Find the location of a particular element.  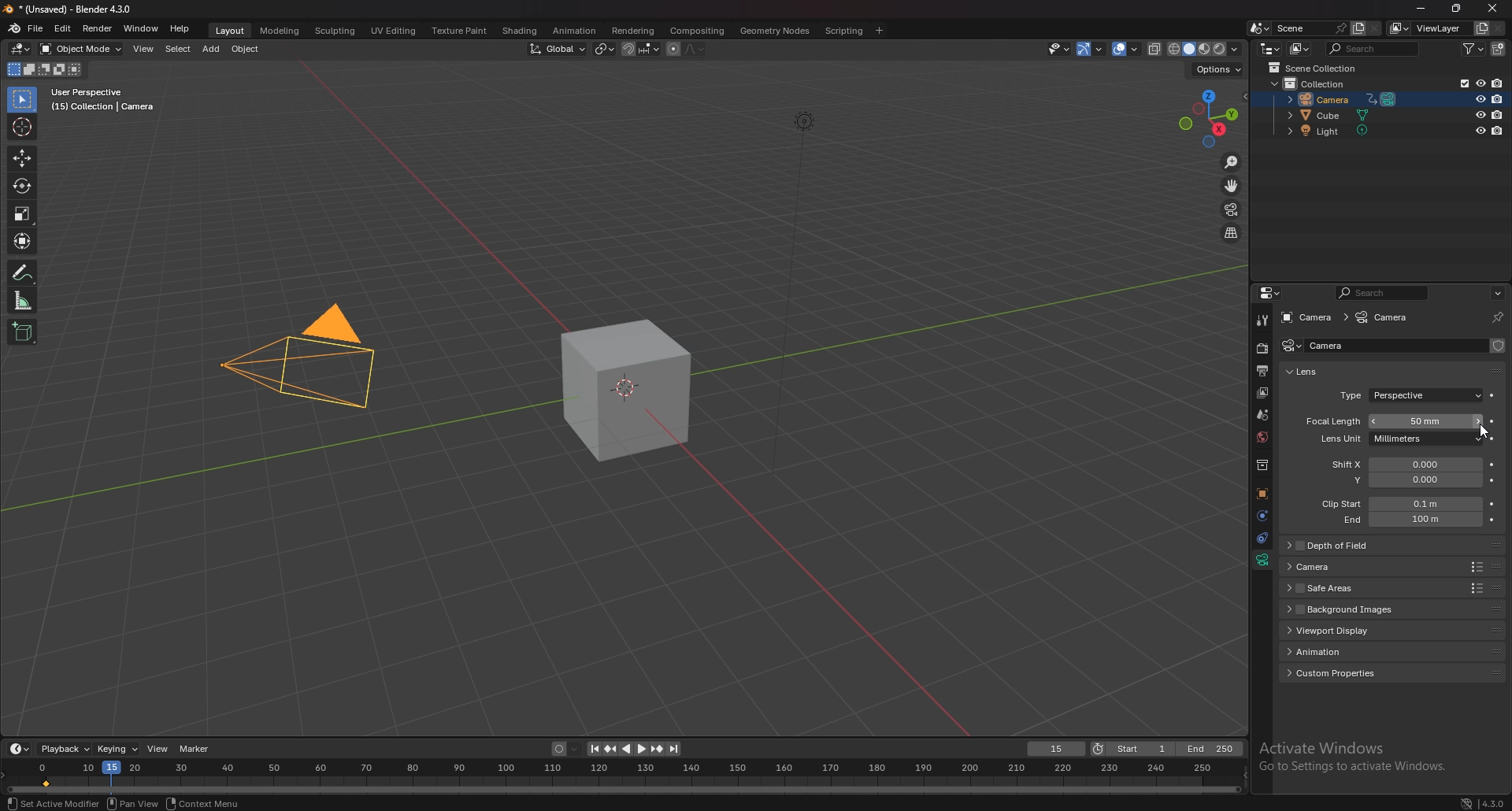

disable in renders is located at coordinates (1496, 99).